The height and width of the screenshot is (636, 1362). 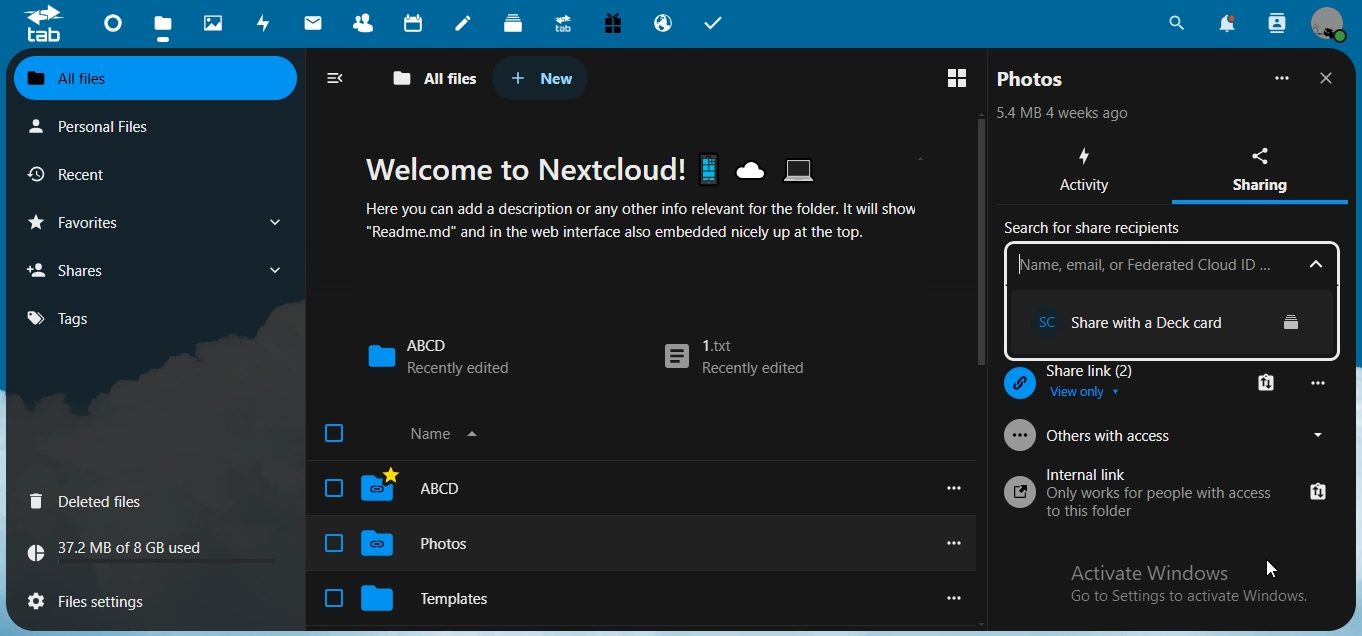 I want to click on tags, so click(x=70, y=318).